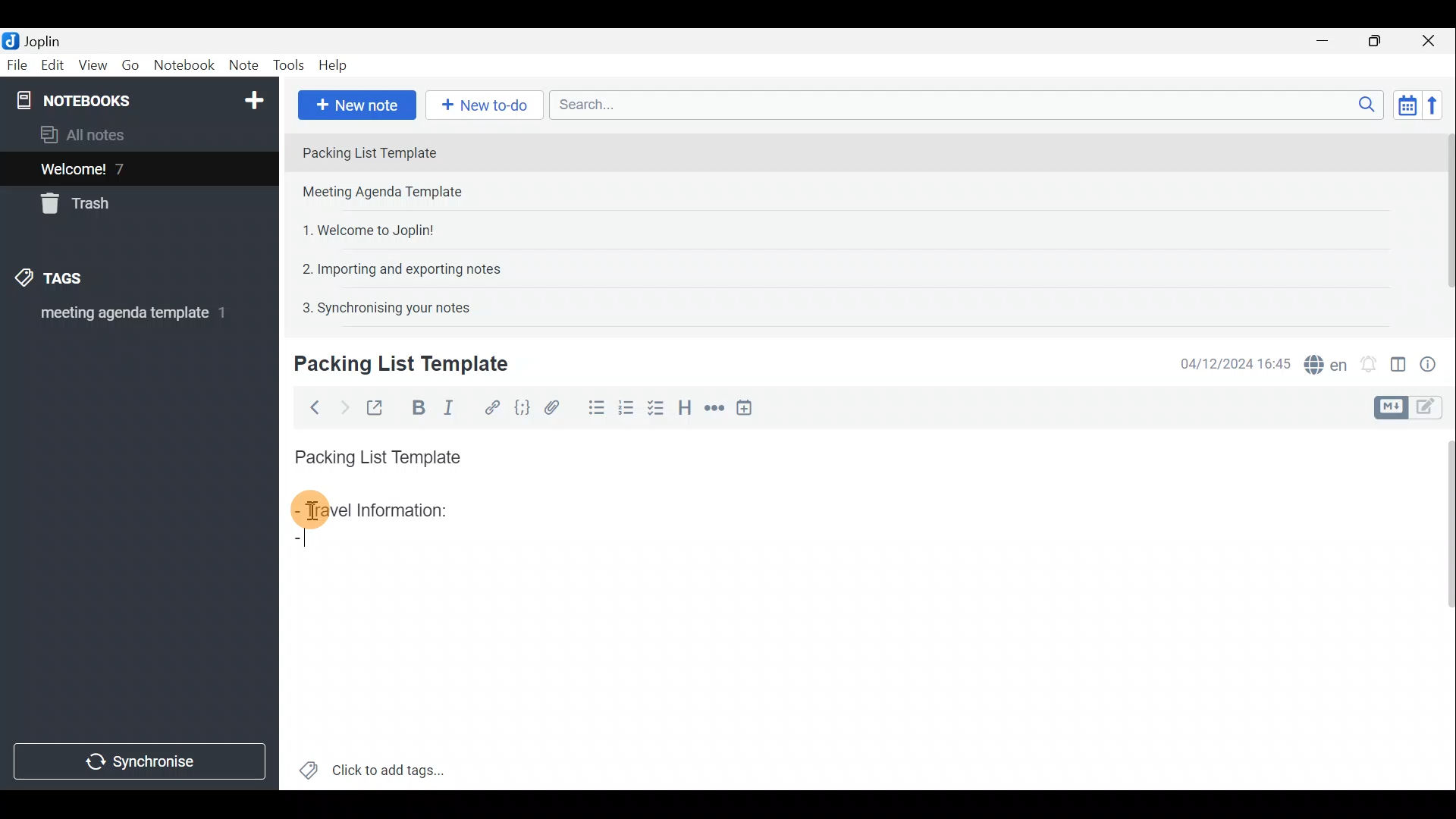  Describe the element at coordinates (392, 365) in the screenshot. I see `Creating new note` at that location.